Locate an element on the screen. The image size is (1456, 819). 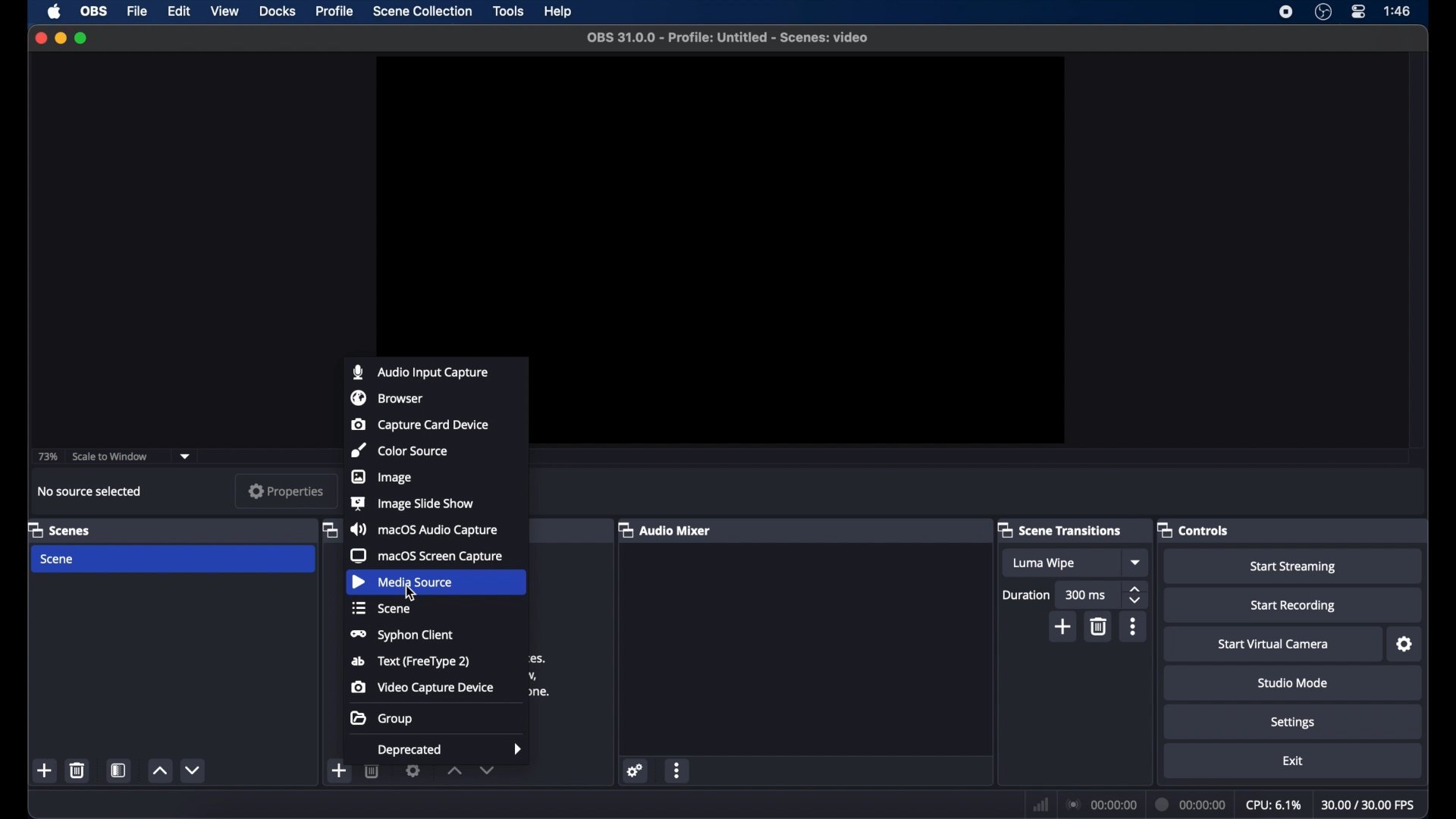
image is located at coordinates (381, 477).